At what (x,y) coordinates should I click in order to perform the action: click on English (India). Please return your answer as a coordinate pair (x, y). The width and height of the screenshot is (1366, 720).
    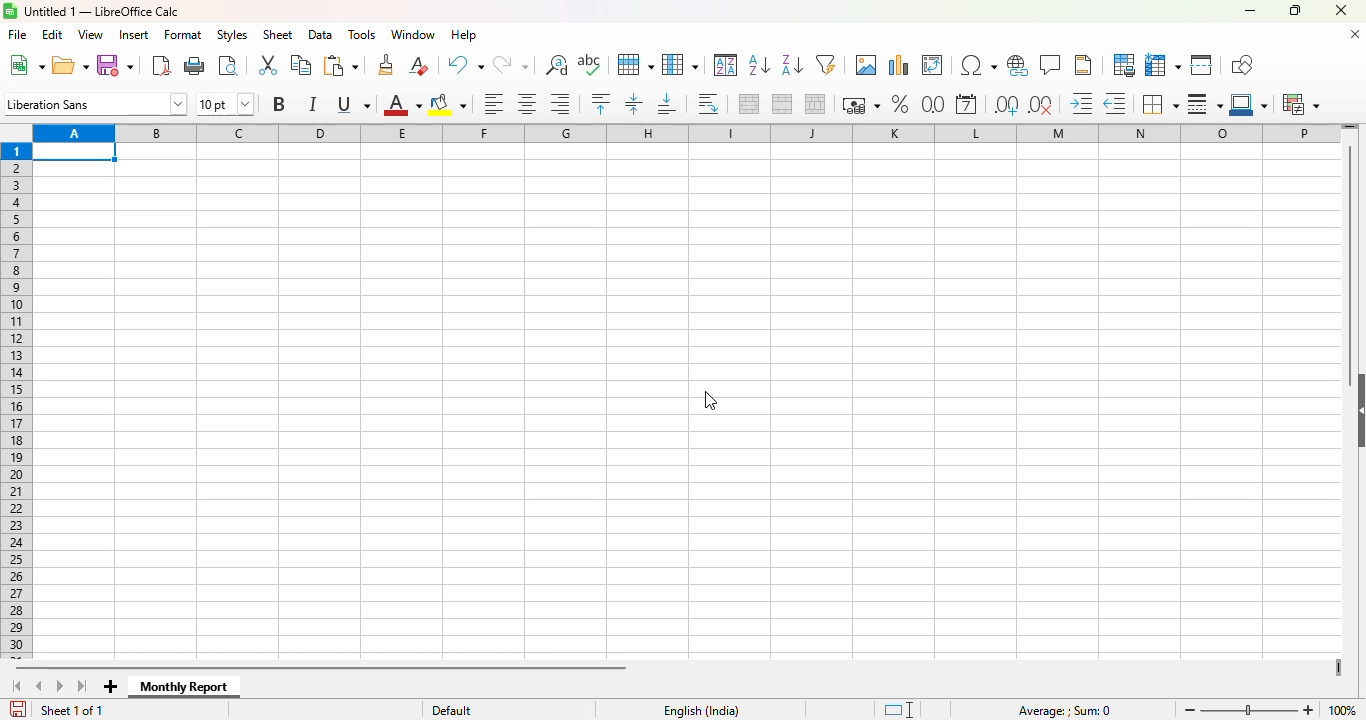
    Looking at the image, I should click on (700, 710).